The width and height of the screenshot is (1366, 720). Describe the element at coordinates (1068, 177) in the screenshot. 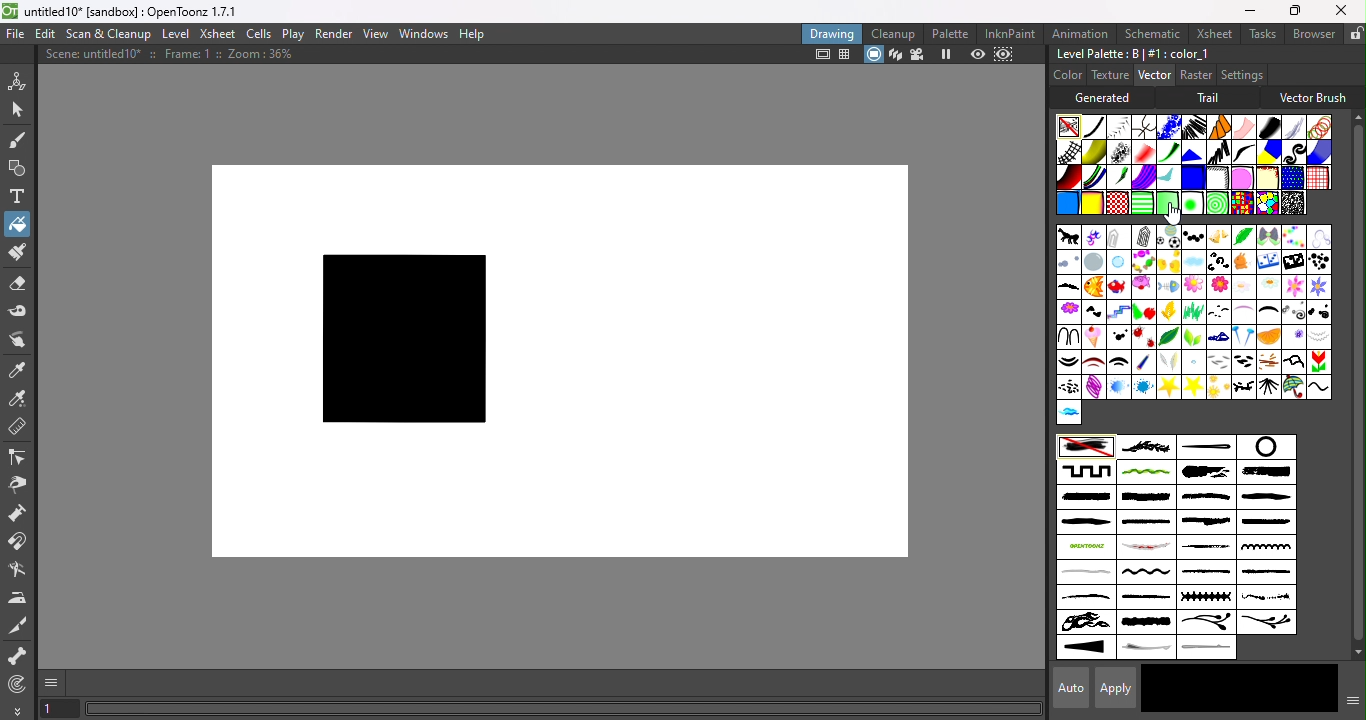

I see `Shade` at that location.